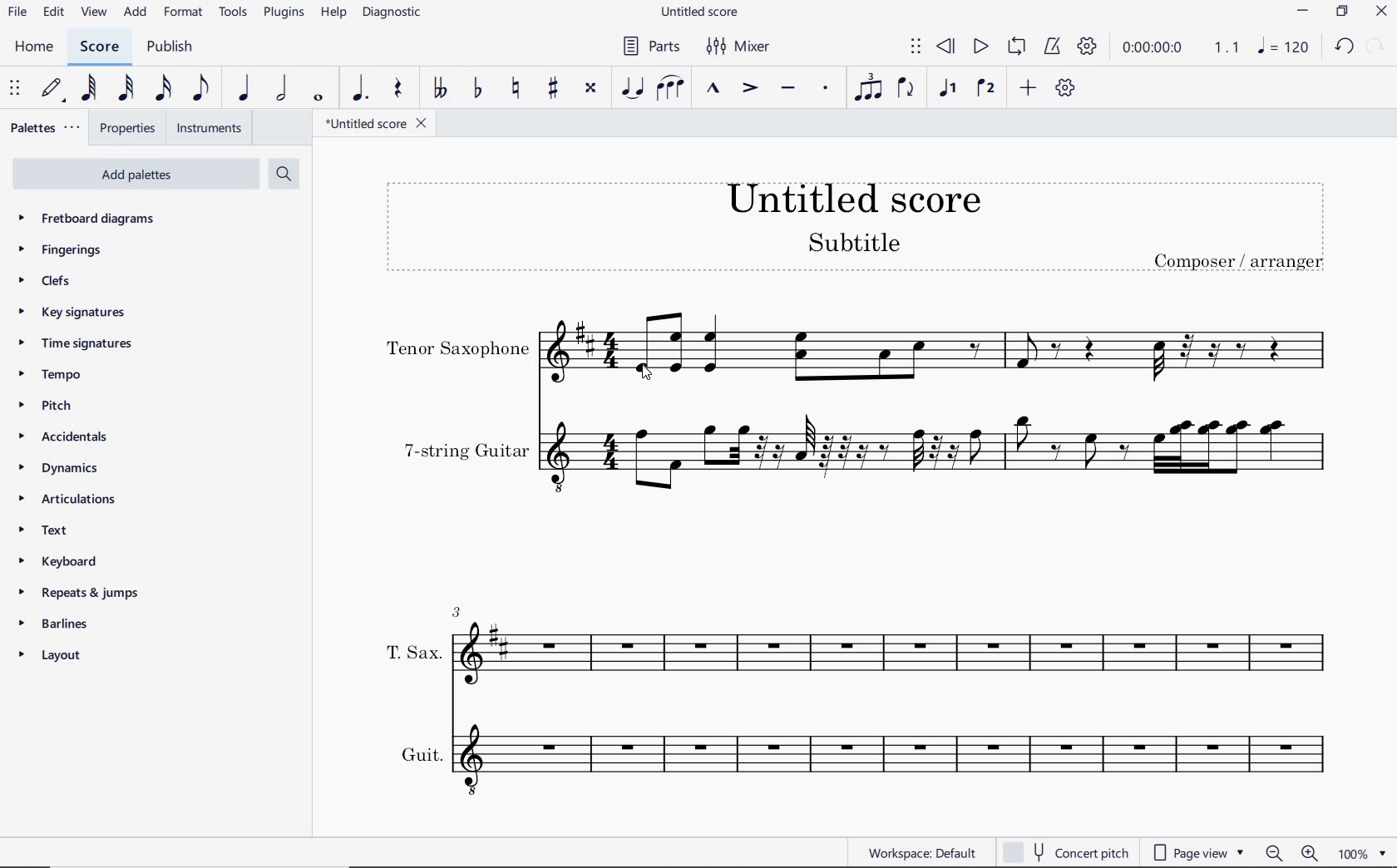 The height and width of the screenshot is (868, 1397). Describe the element at coordinates (855, 639) in the screenshot. I see `INSTRUMENT: T.SAX` at that location.